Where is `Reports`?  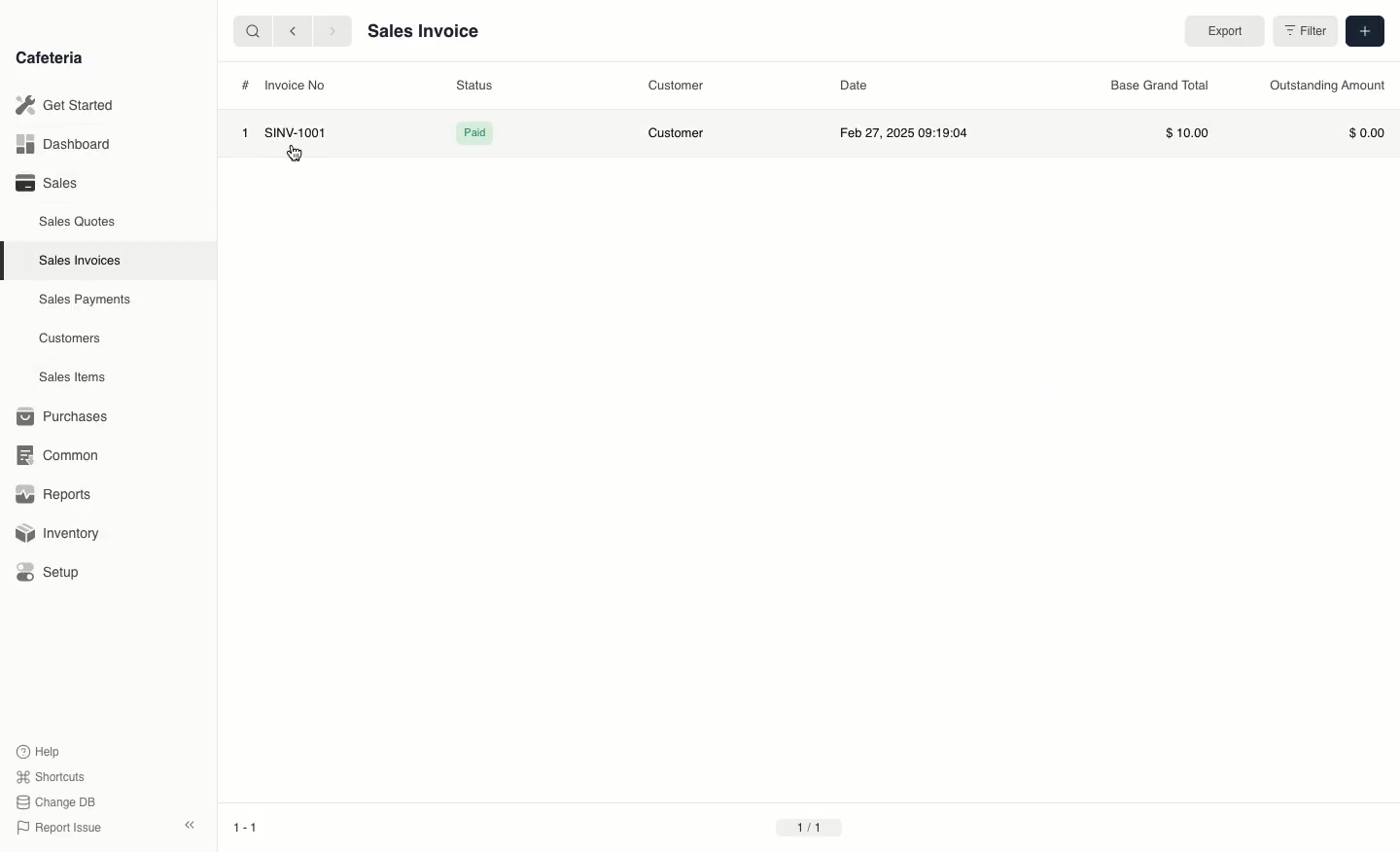
Reports is located at coordinates (53, 492).